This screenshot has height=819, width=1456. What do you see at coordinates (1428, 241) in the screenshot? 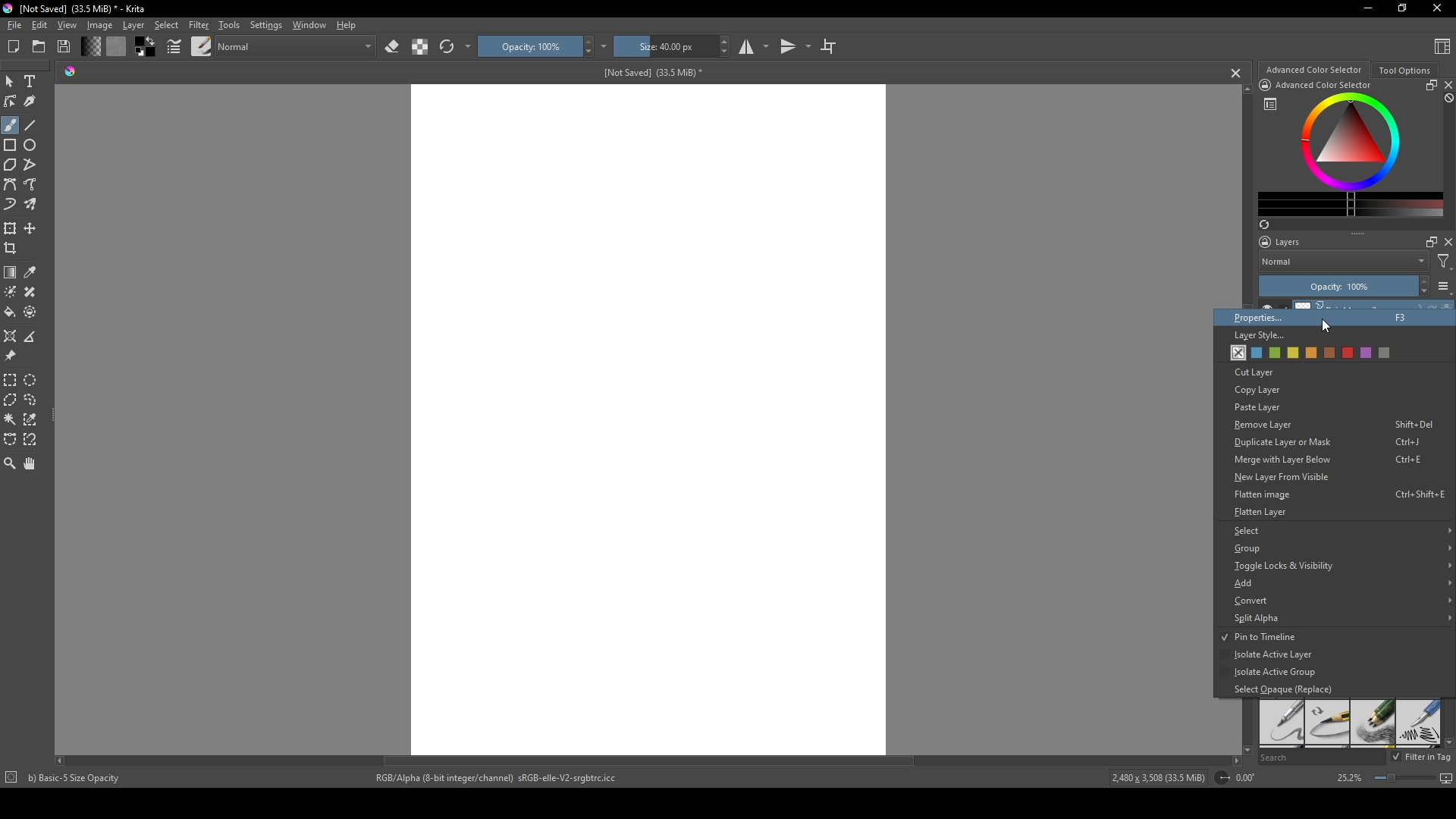
I see `maximize` at bounding box center [1428, 241].